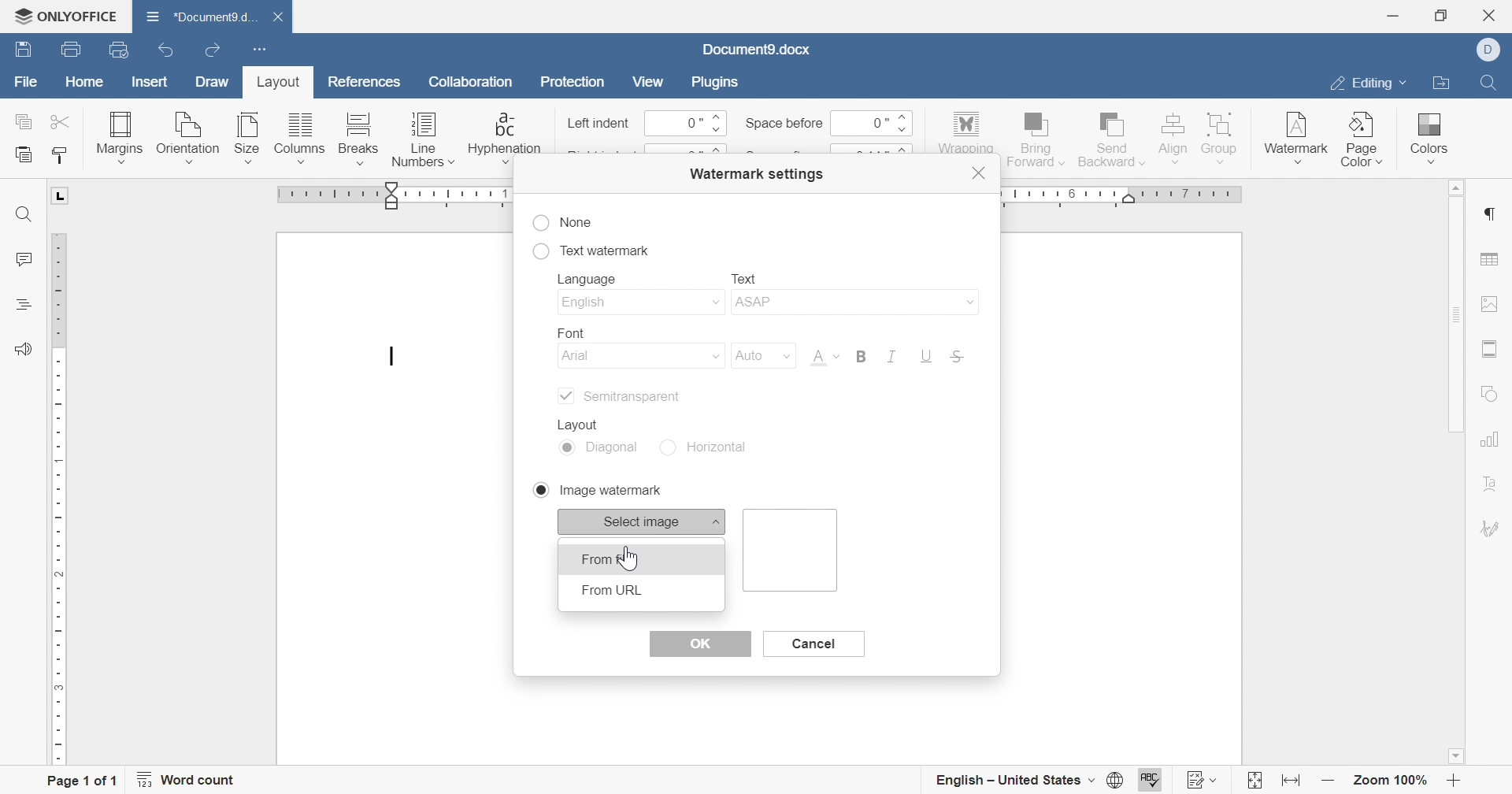  What do you see at coordinates (642, 358) in the screenshot?
I see `arial` at bounding box center [642, 358].